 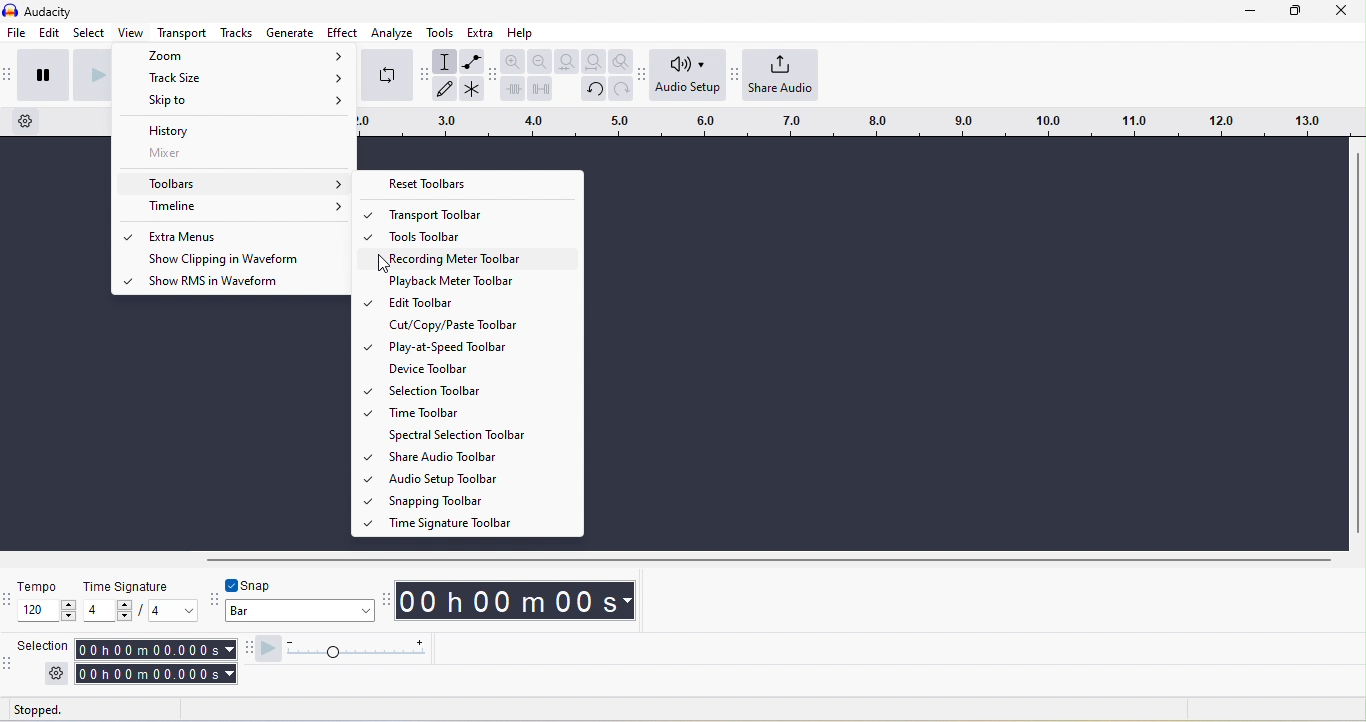 What do you see at coordinates (37, 712) in the screenshot?
I see `status: stopped` at bounding box center [37, 712].